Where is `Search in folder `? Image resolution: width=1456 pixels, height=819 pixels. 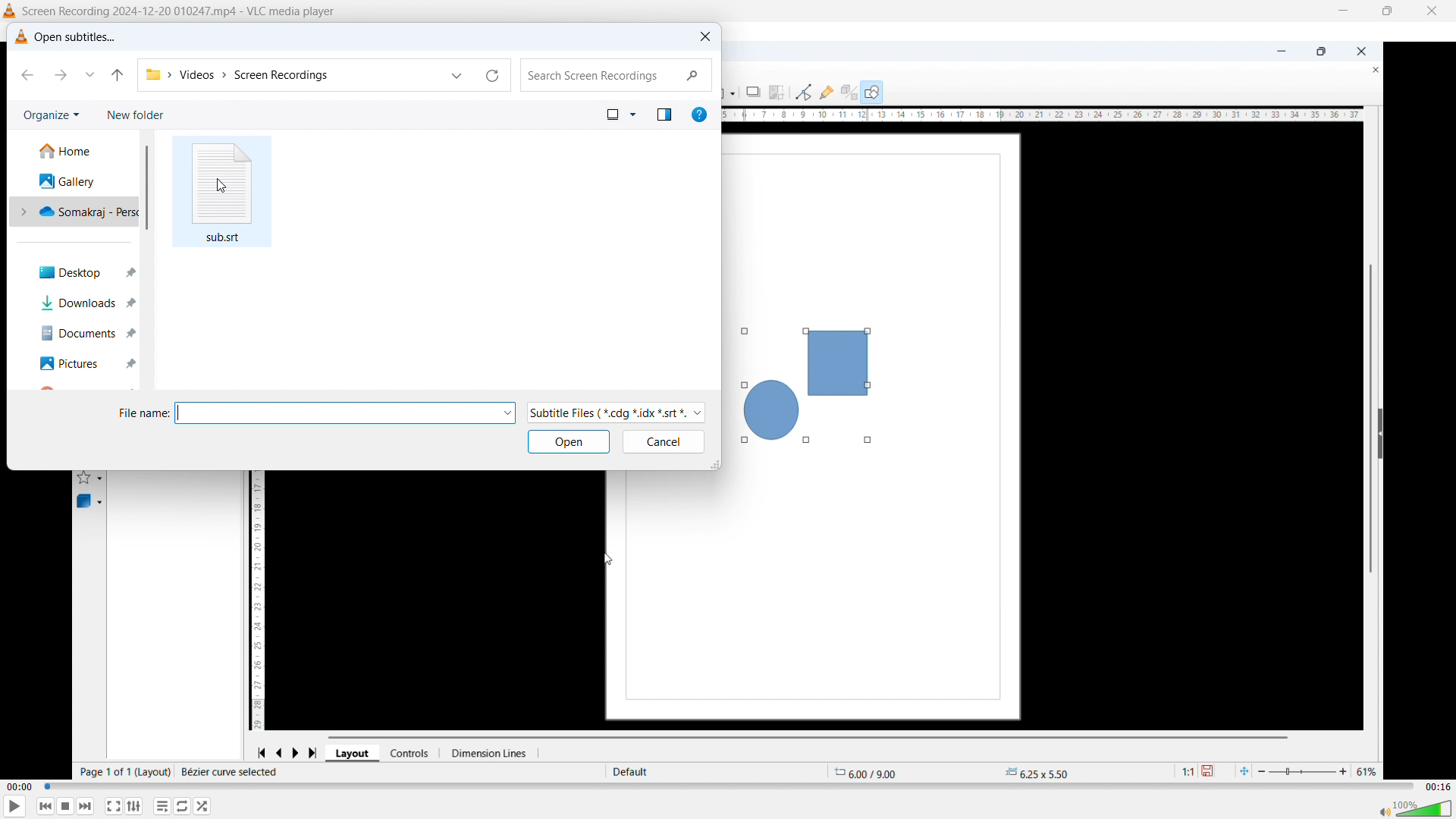 Search in folder  is located at coordinates (617, 75).